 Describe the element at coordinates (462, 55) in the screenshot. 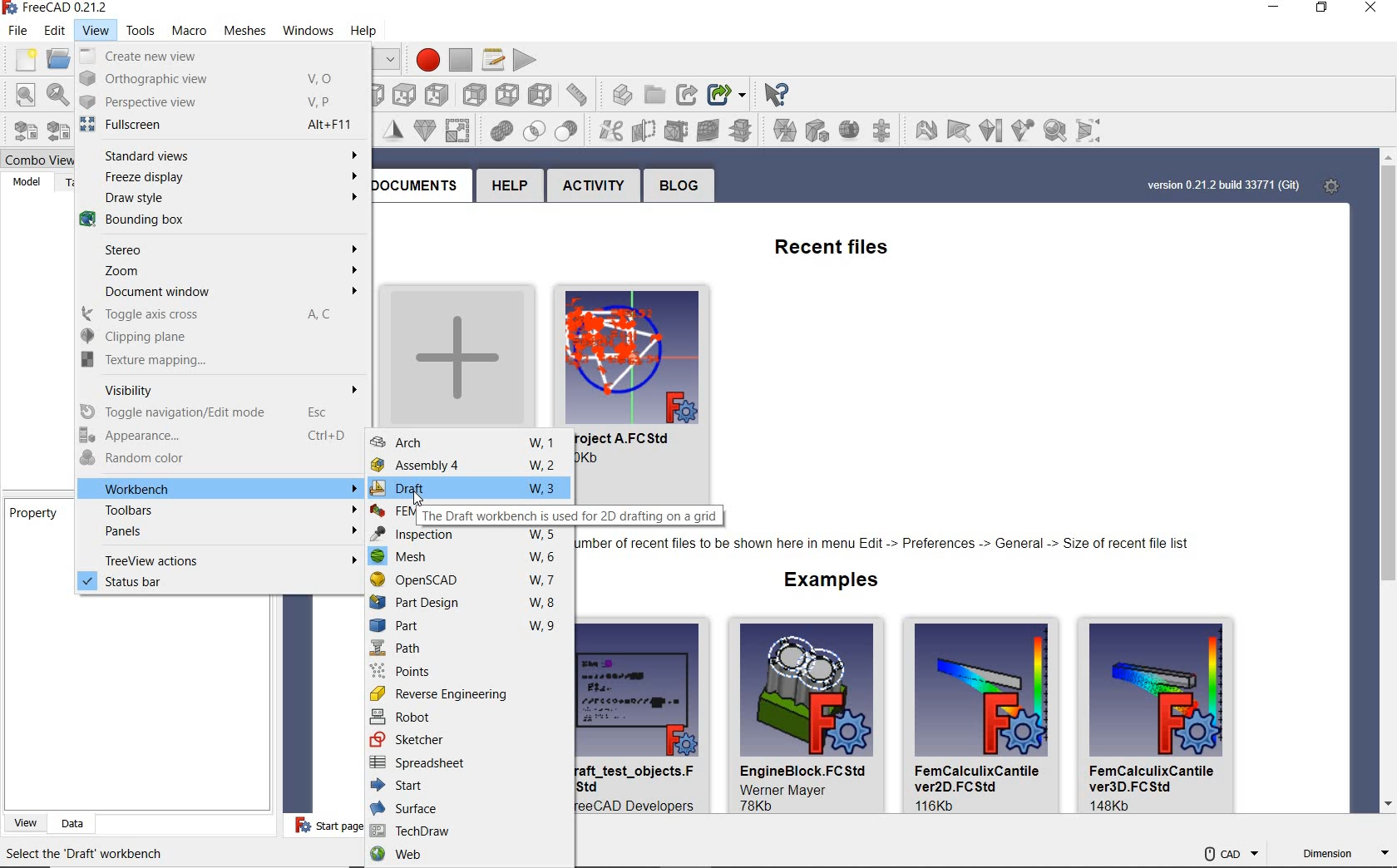

I see `stop macro recording` at that location.